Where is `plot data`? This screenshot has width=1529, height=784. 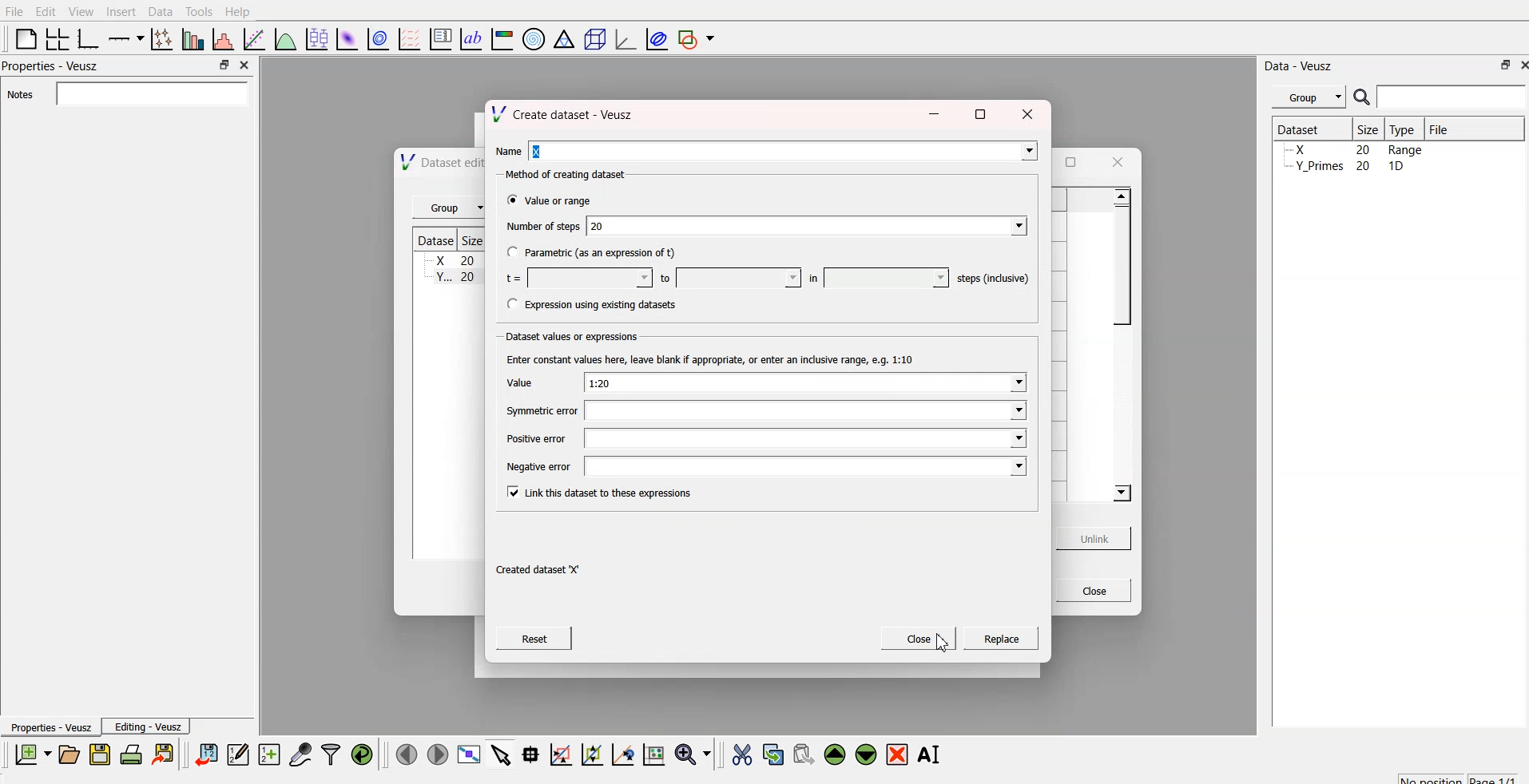 plot data is located at coordinates (378, 38).